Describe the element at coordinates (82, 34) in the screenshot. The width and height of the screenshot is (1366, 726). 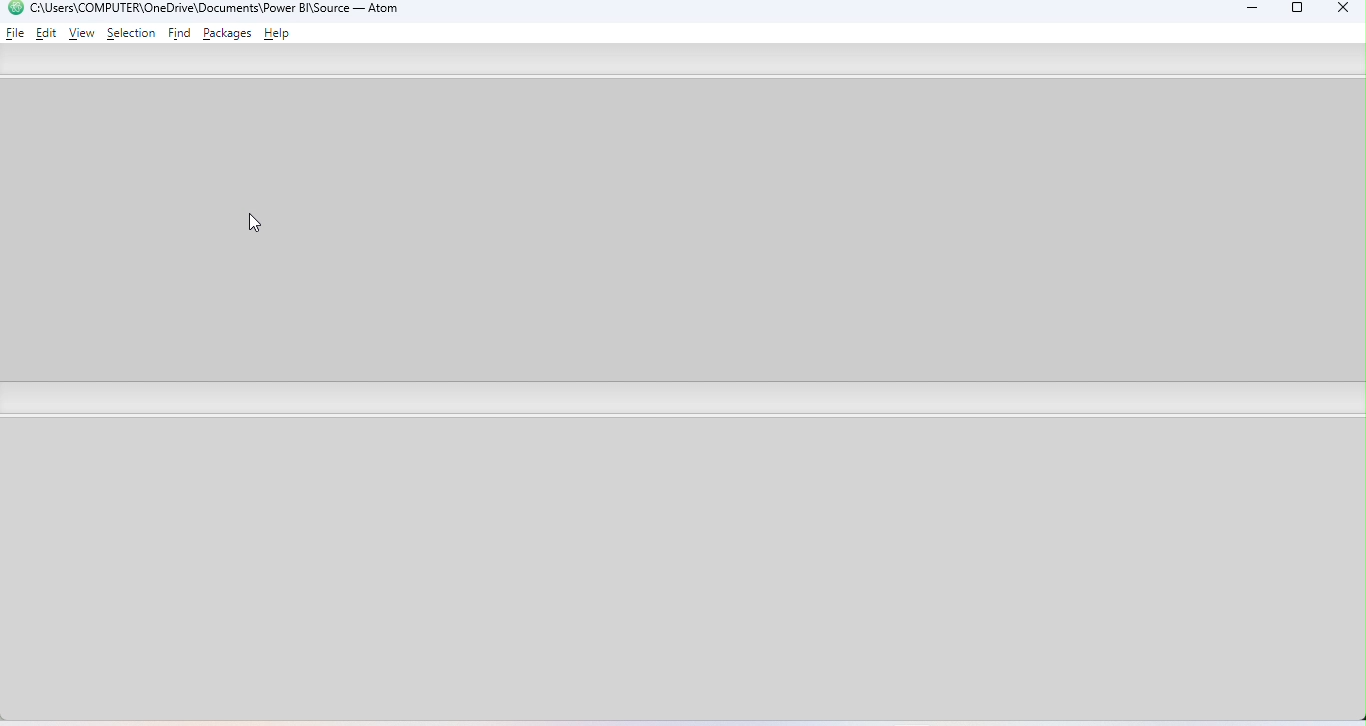
I see `View` at that location.